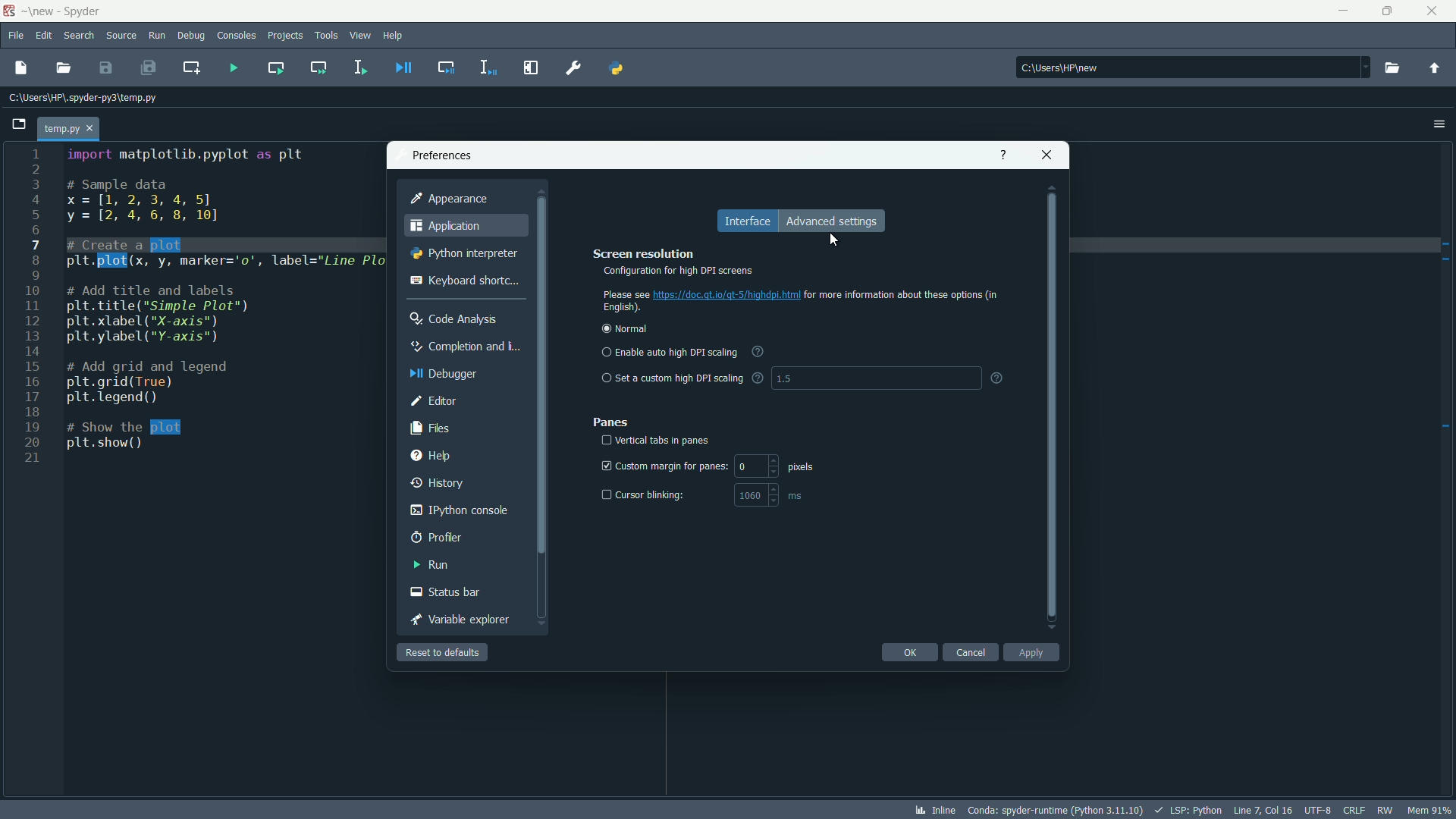 The image size is (1456, 819). Describe the element at coordinates (11, 11) in the screenshot. I see `app icon` at that location.